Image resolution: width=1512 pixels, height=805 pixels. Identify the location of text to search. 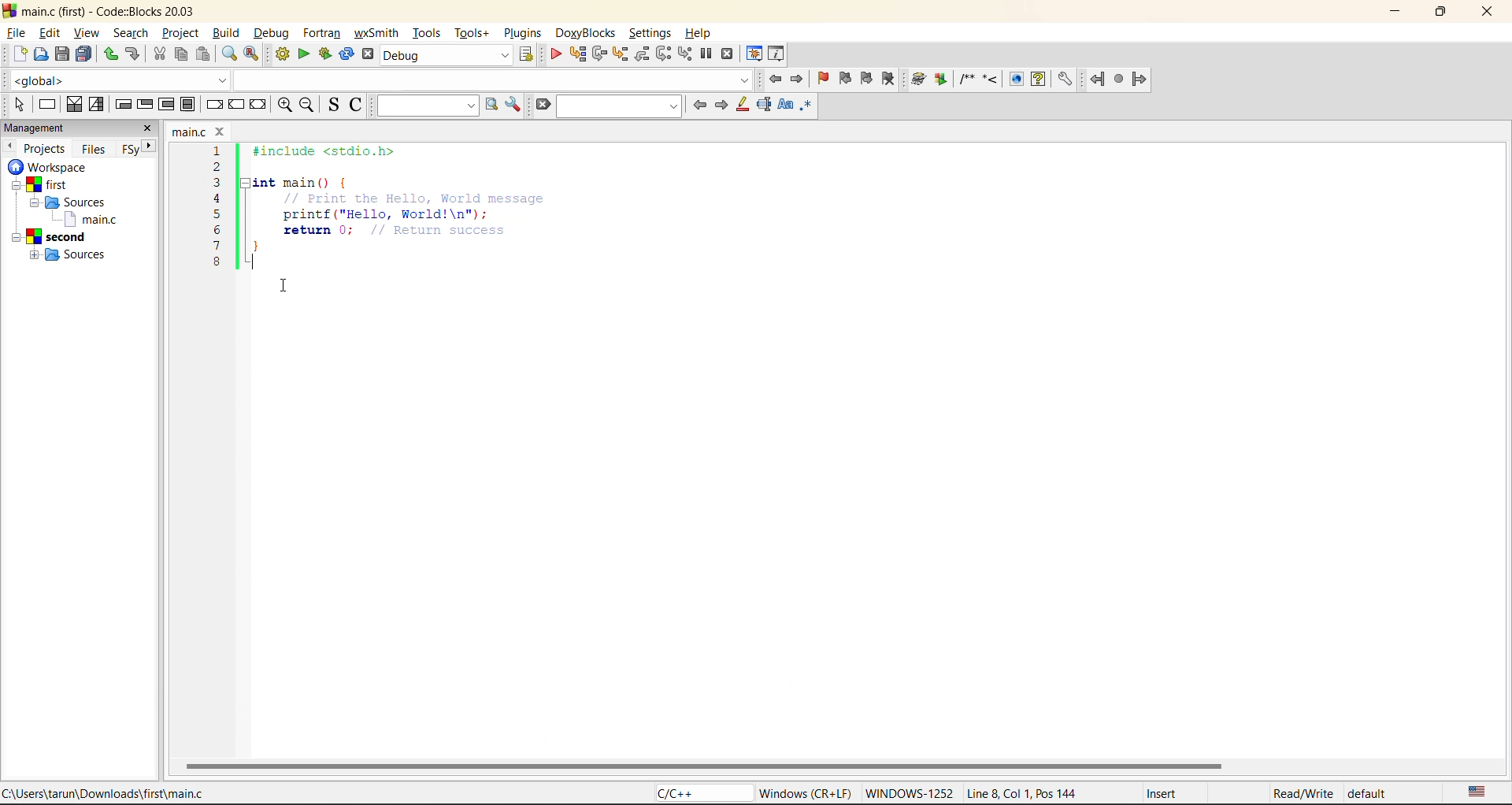
(427, 106).